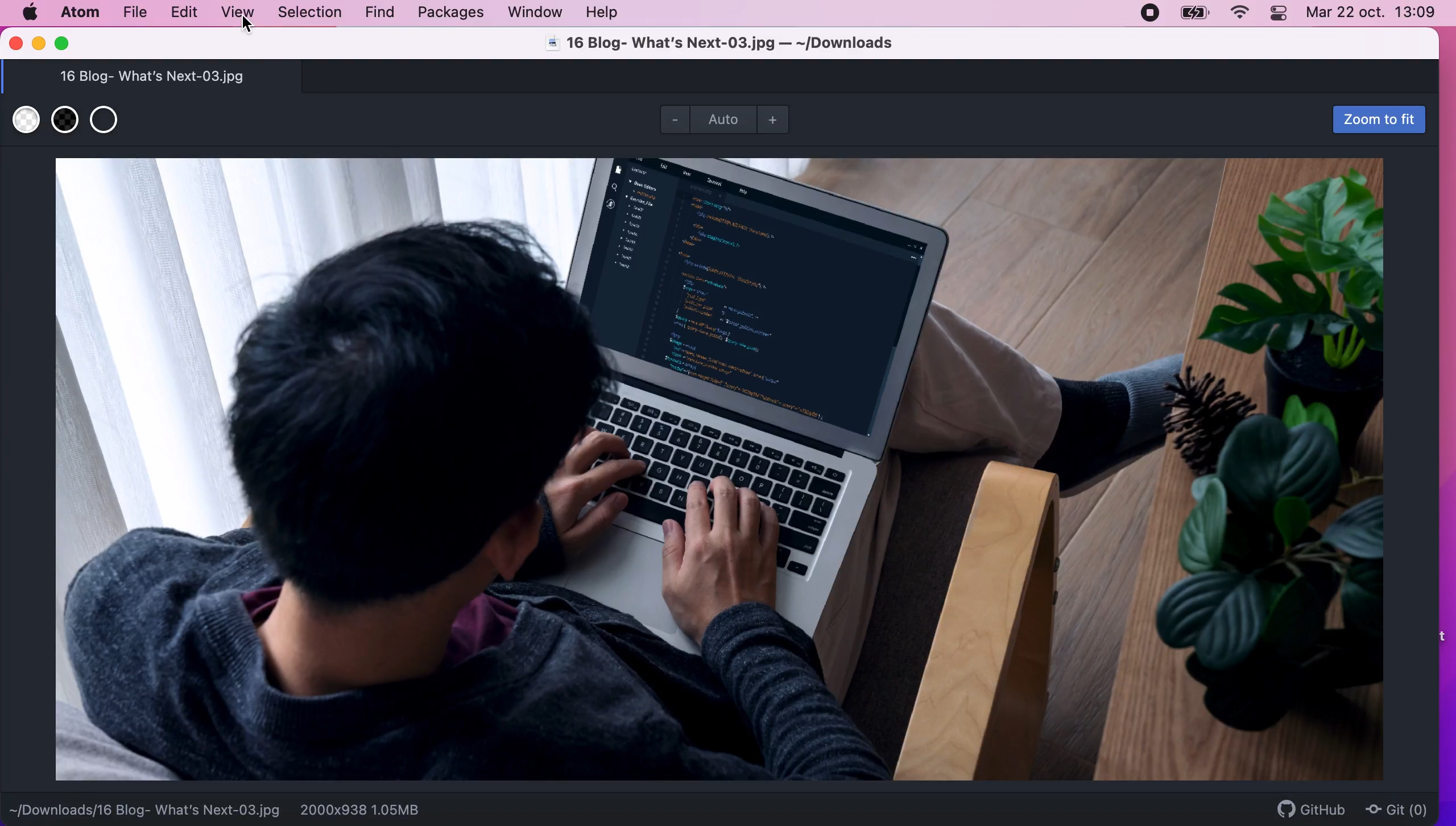  Describe the element at coordinates (672, 122) in the screenshot. I see `zoom out` at that location.